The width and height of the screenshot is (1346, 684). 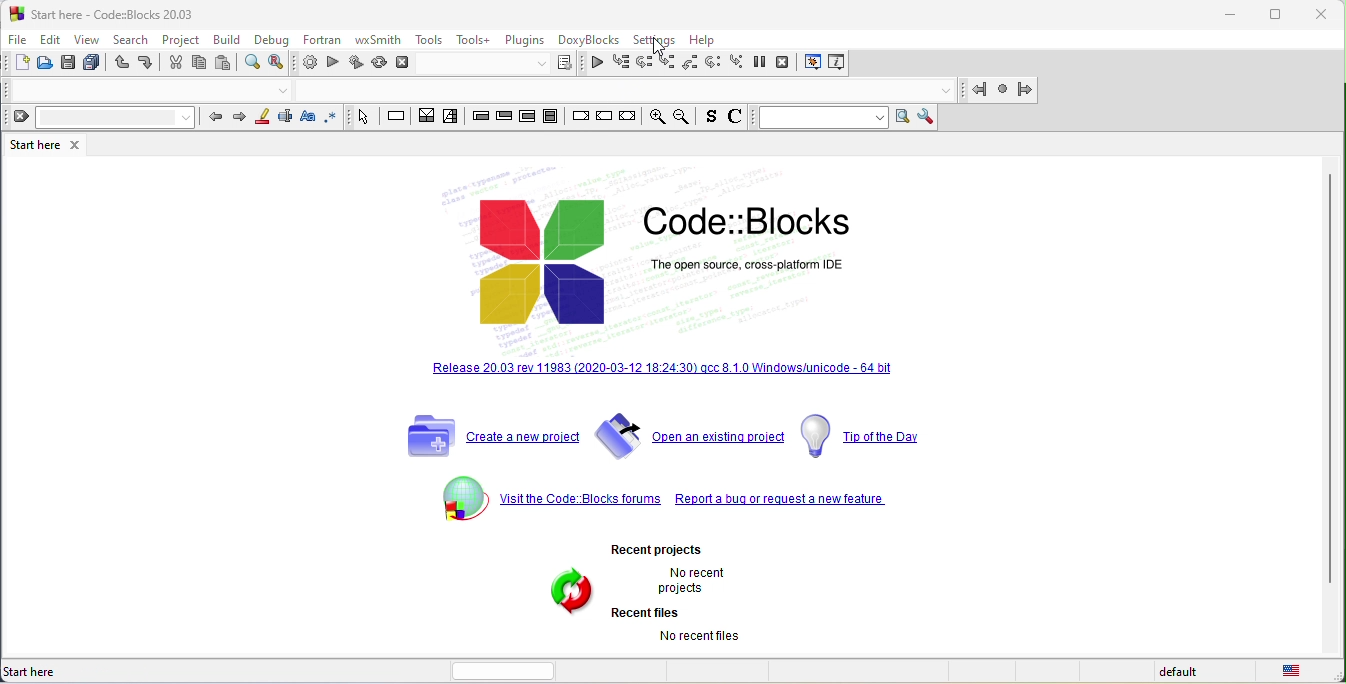 What do you see at coordinates (488, 435) in the screenshot?
I see `create a new project` at bounding box center [488, 435].